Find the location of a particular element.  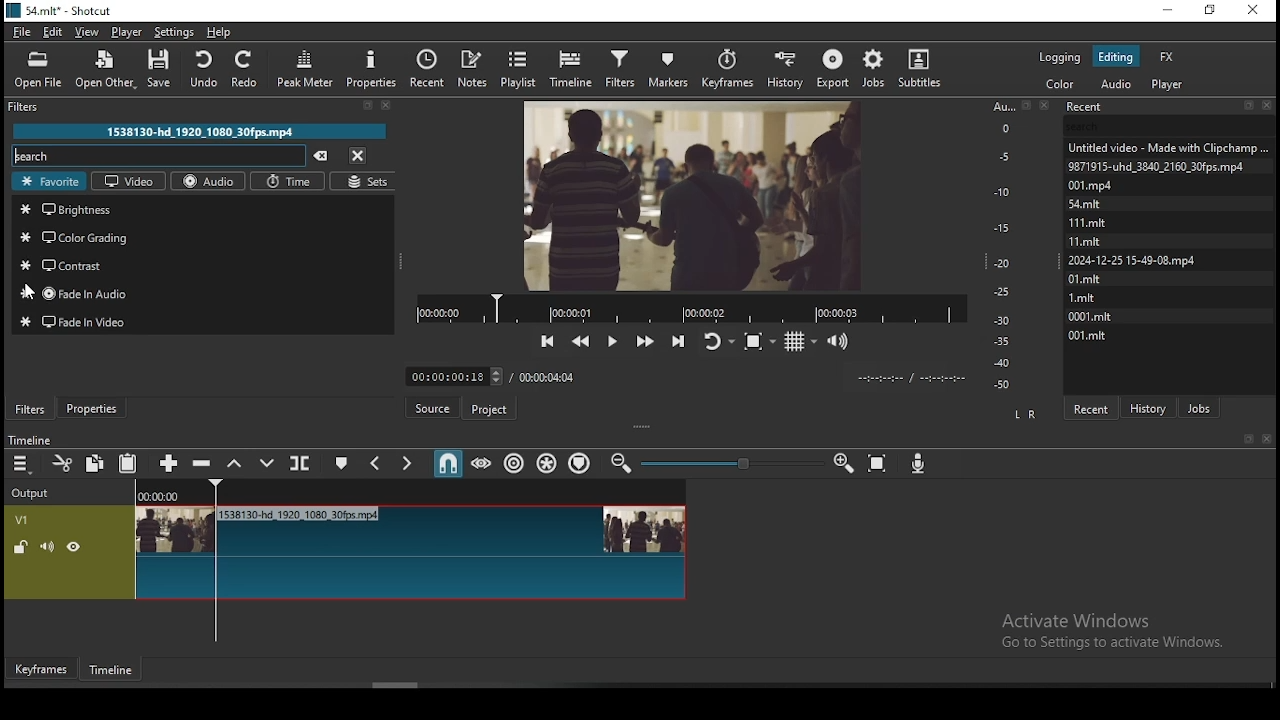

filter is located at coordinates (207, 107).